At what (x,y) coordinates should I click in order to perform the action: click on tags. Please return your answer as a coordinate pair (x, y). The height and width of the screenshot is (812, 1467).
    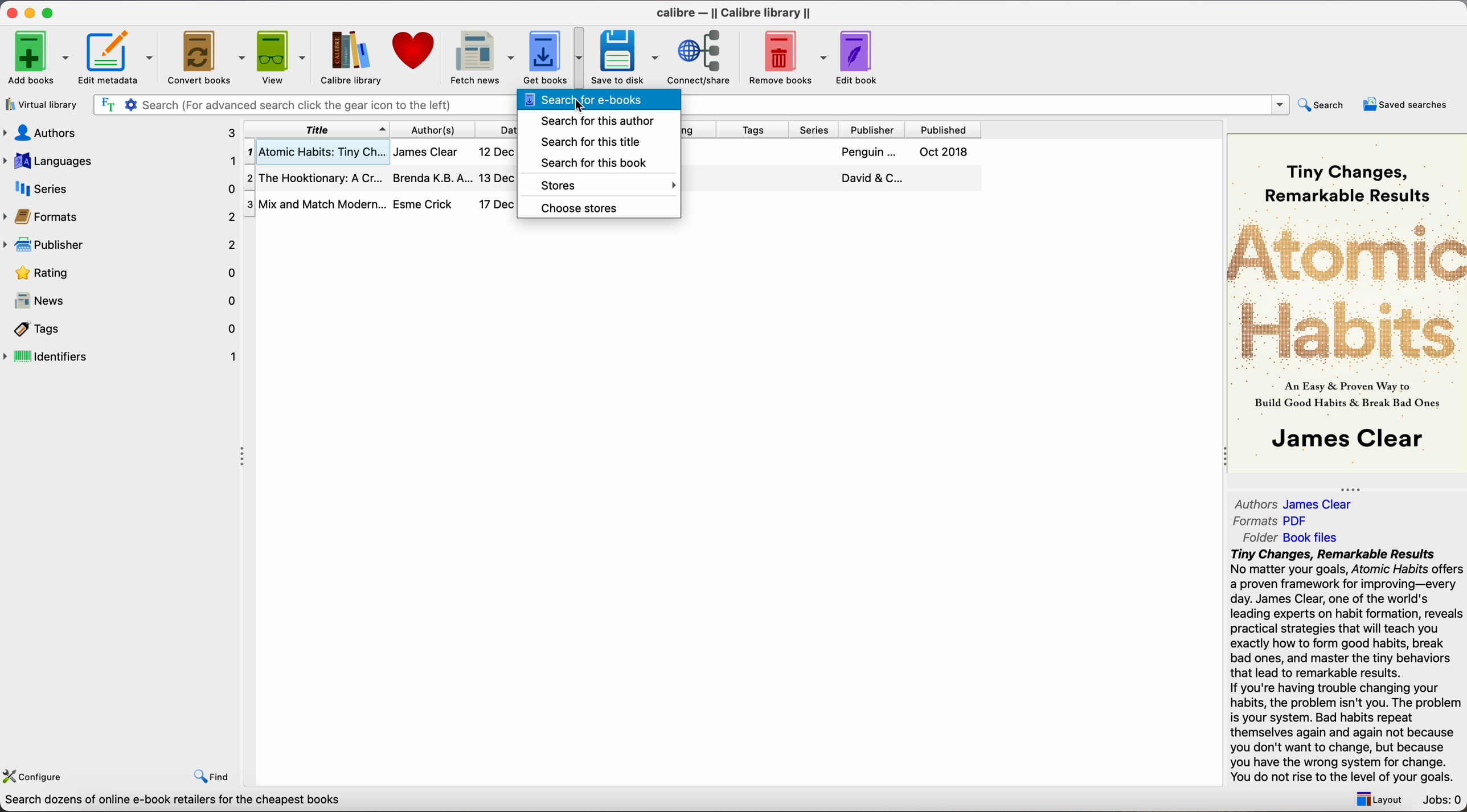
    Looking at the image, I should click on (123, 330).